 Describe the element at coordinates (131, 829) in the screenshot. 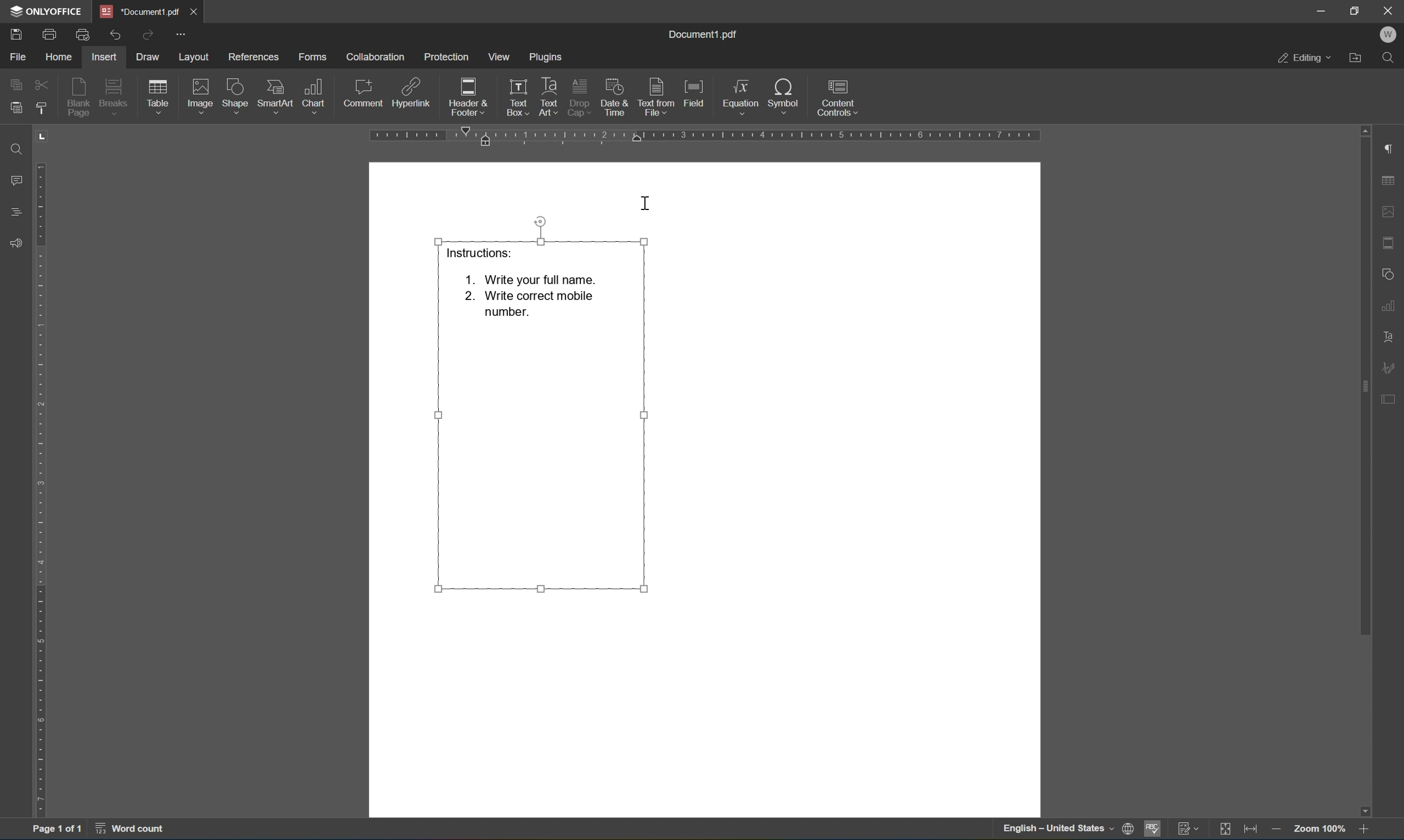

I see `word count` at that location.